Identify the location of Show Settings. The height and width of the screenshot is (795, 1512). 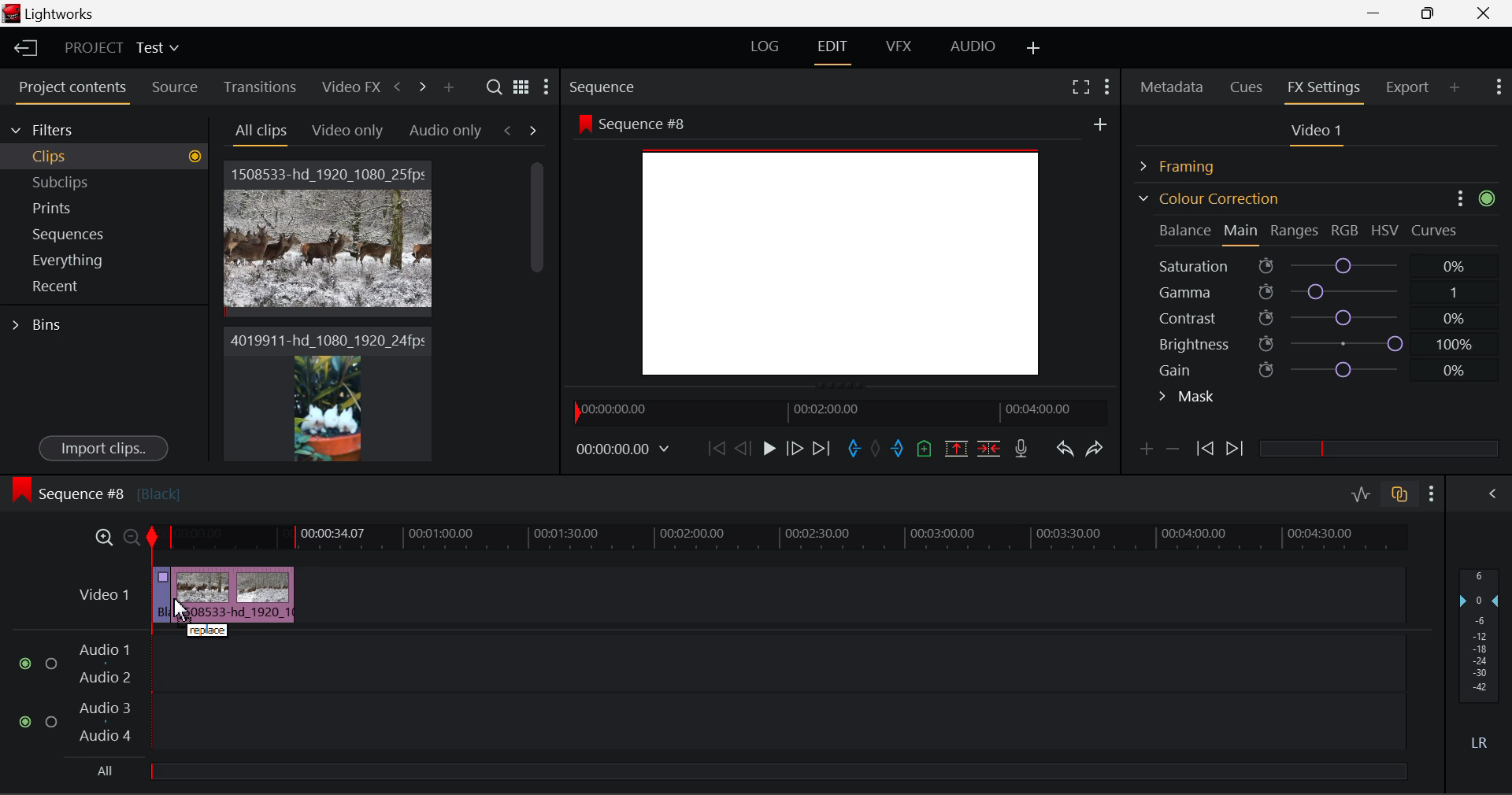
(545, 91).